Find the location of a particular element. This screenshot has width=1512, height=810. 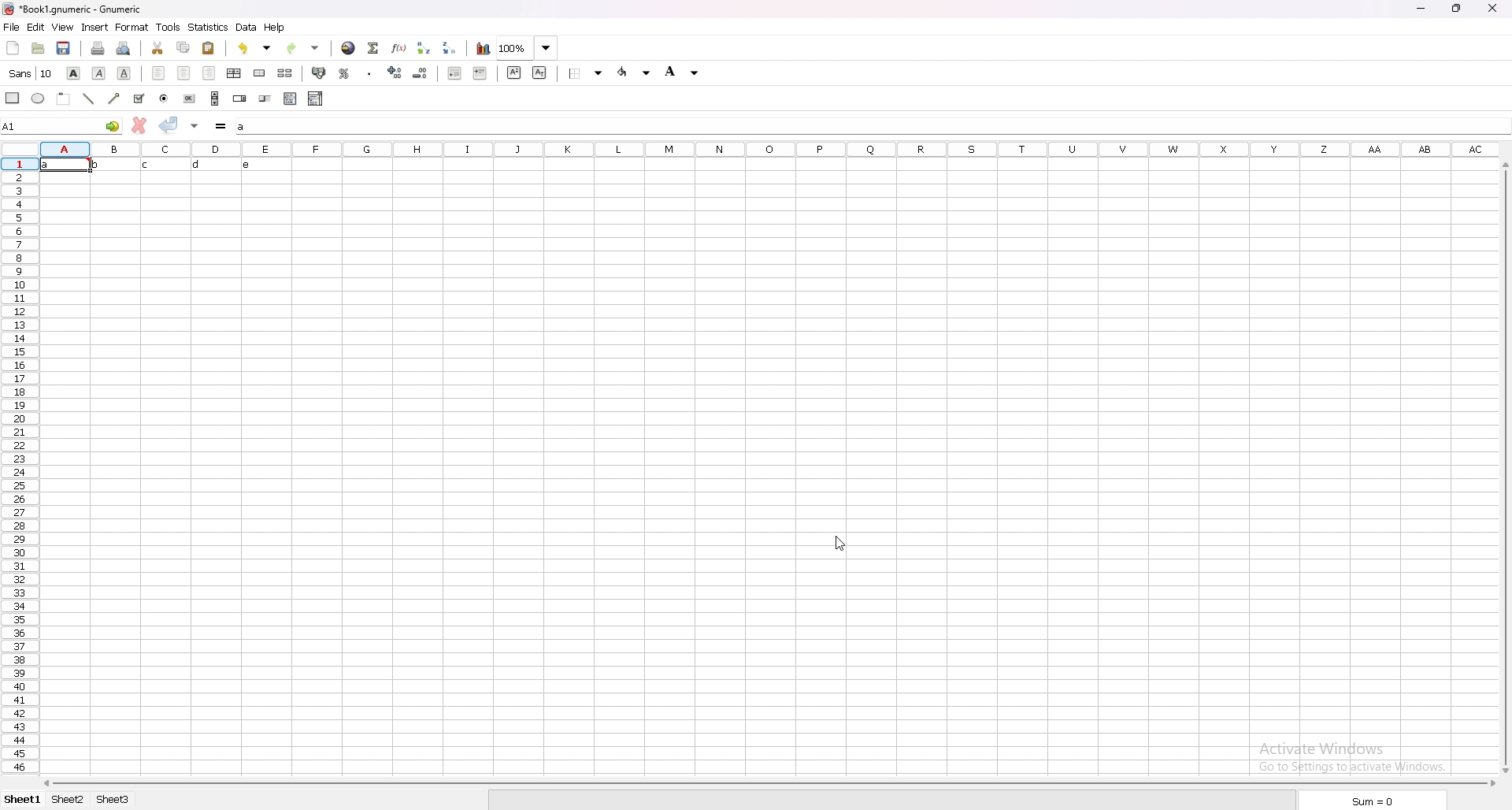

file is located at coordinates (12, 27).